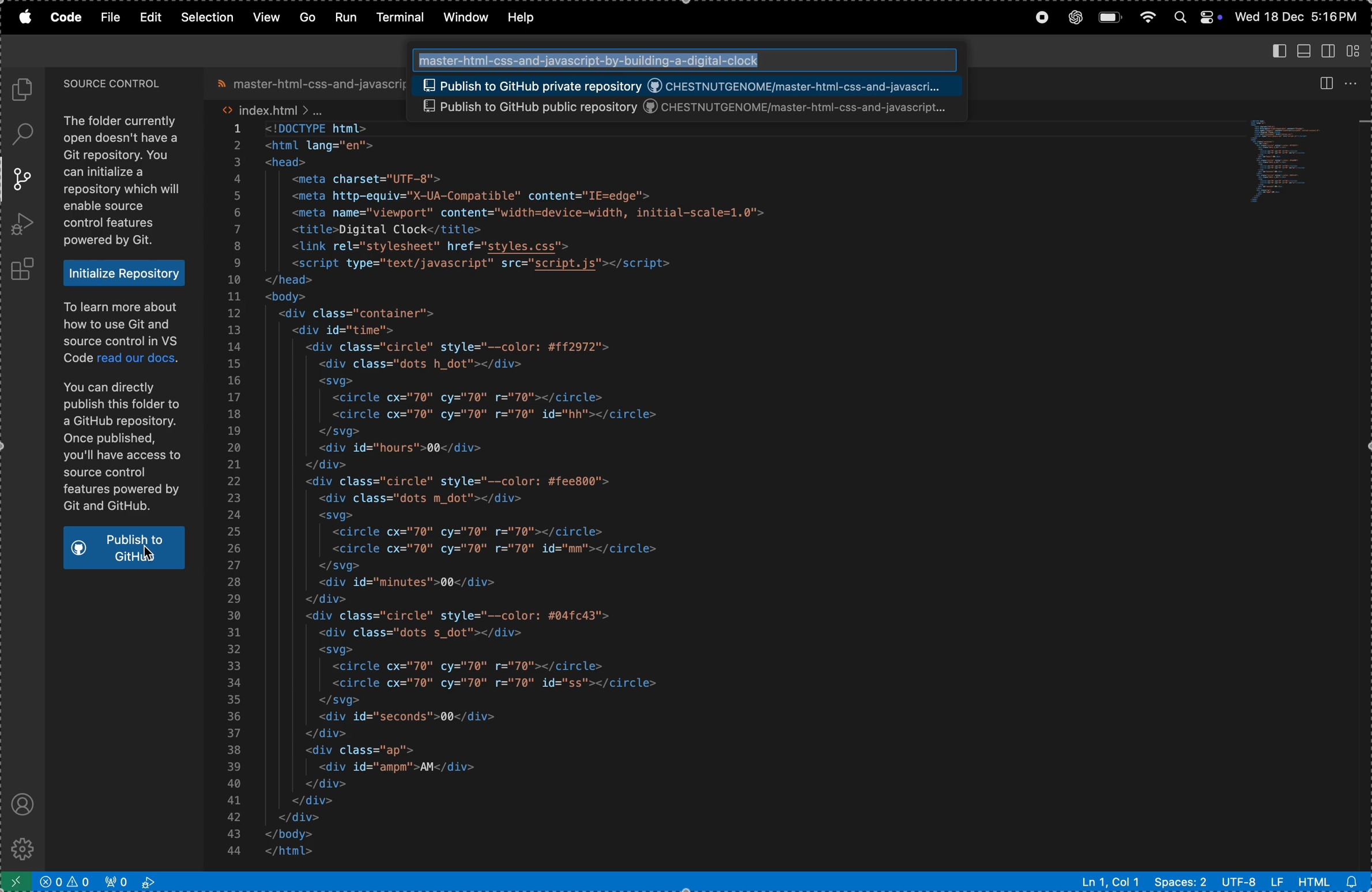 The image size is (1372, 892). What do you see at coordinates (500, 416) in the screenshot?
I see `<circle cx="70" cy="70" r="70" id="hh"></circle>` at bounding box center [500, 416].